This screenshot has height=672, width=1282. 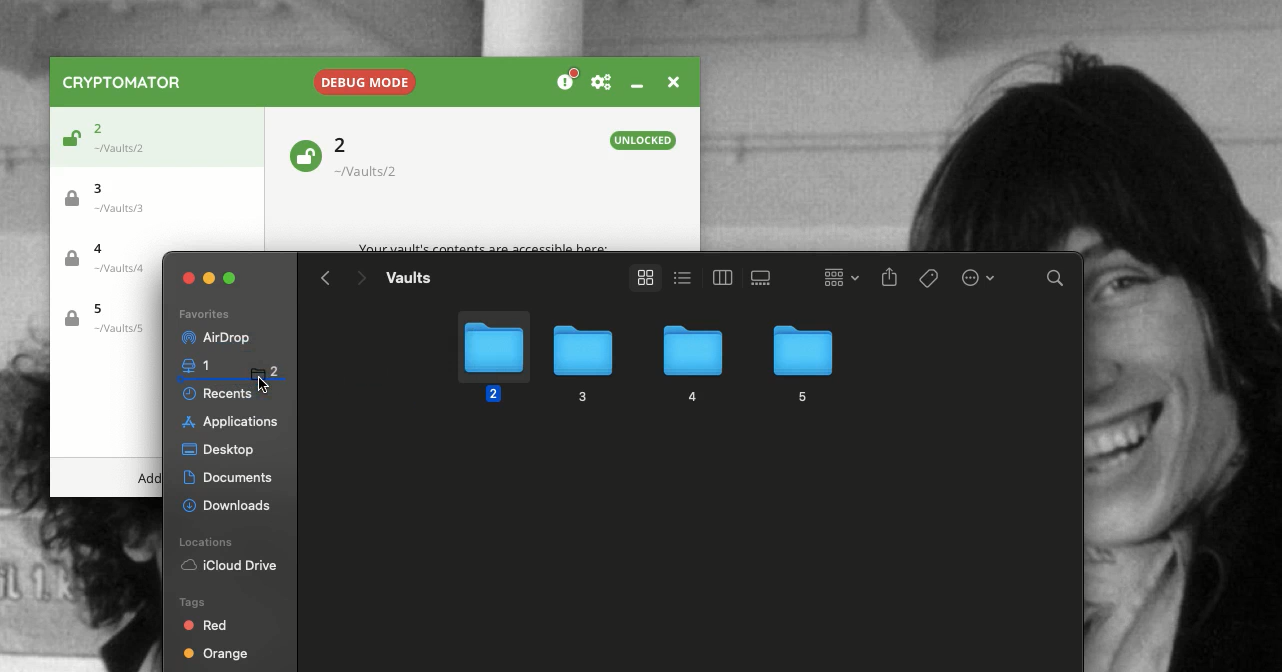 What do you see at coordinates (104, 319) in the screenshot?
I see `Vault 5` at bounding box center [104, 319].